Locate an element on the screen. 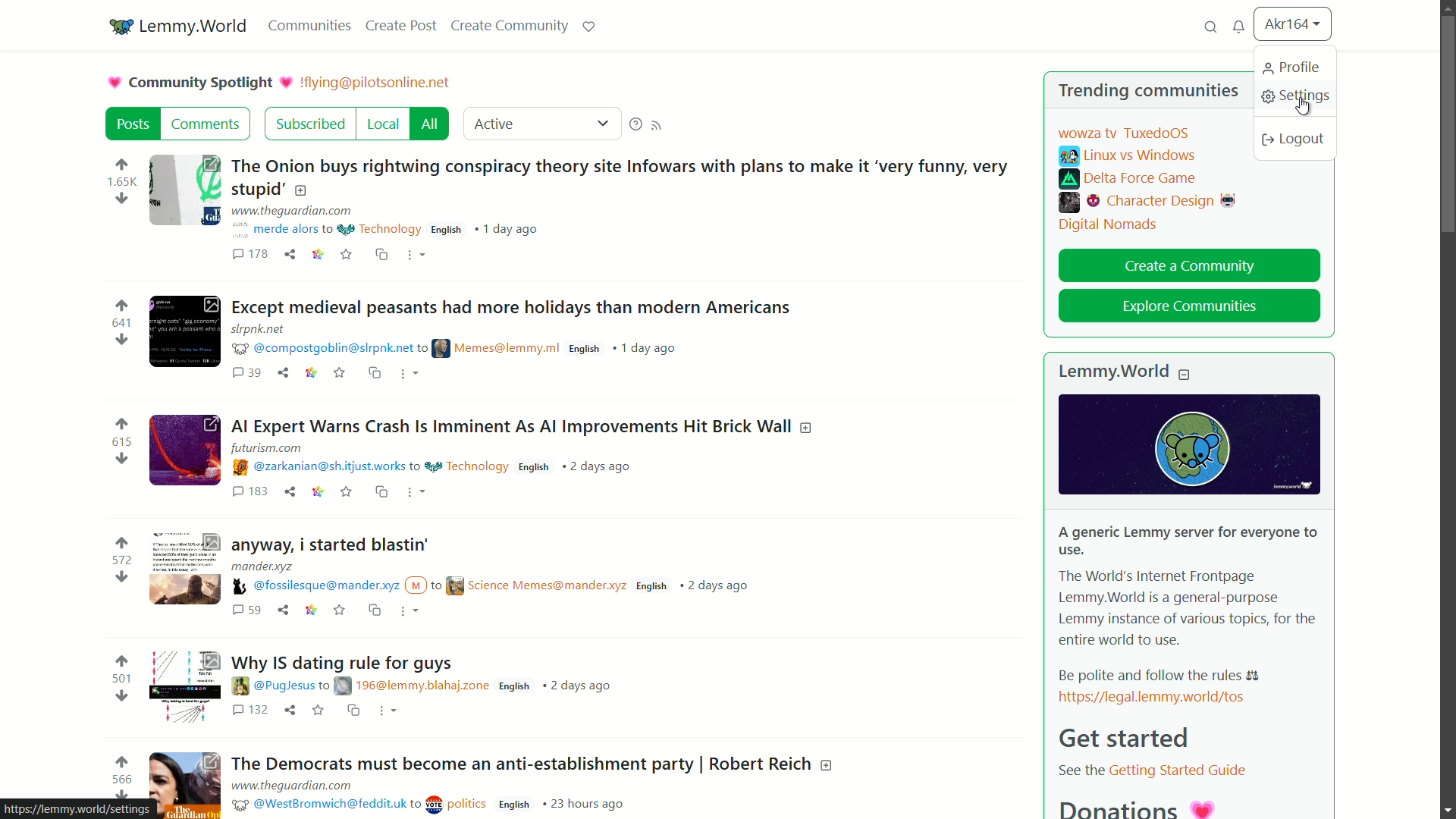  picture is located at coordinates (116, 83).